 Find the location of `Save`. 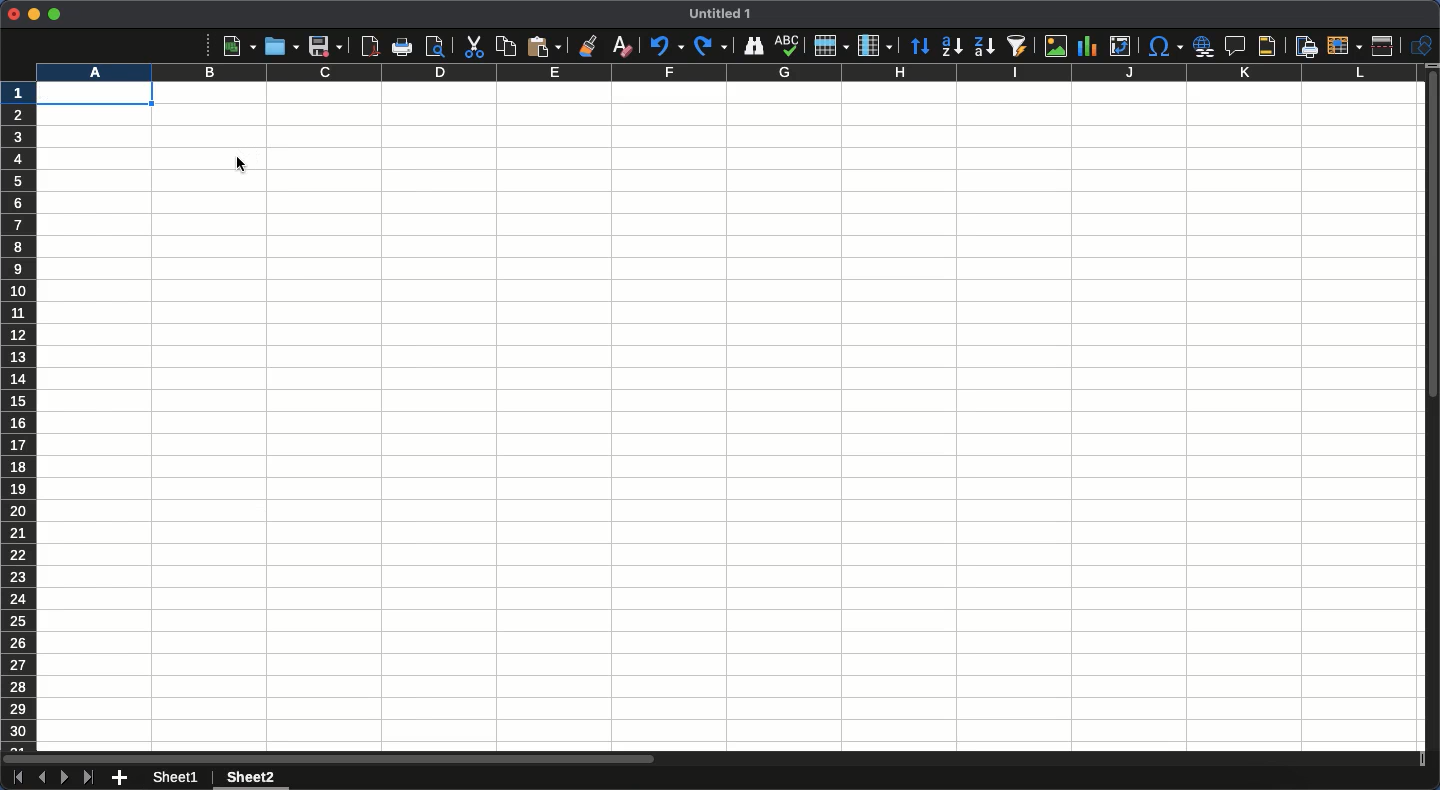

Save is located at coordinates (325, 46).